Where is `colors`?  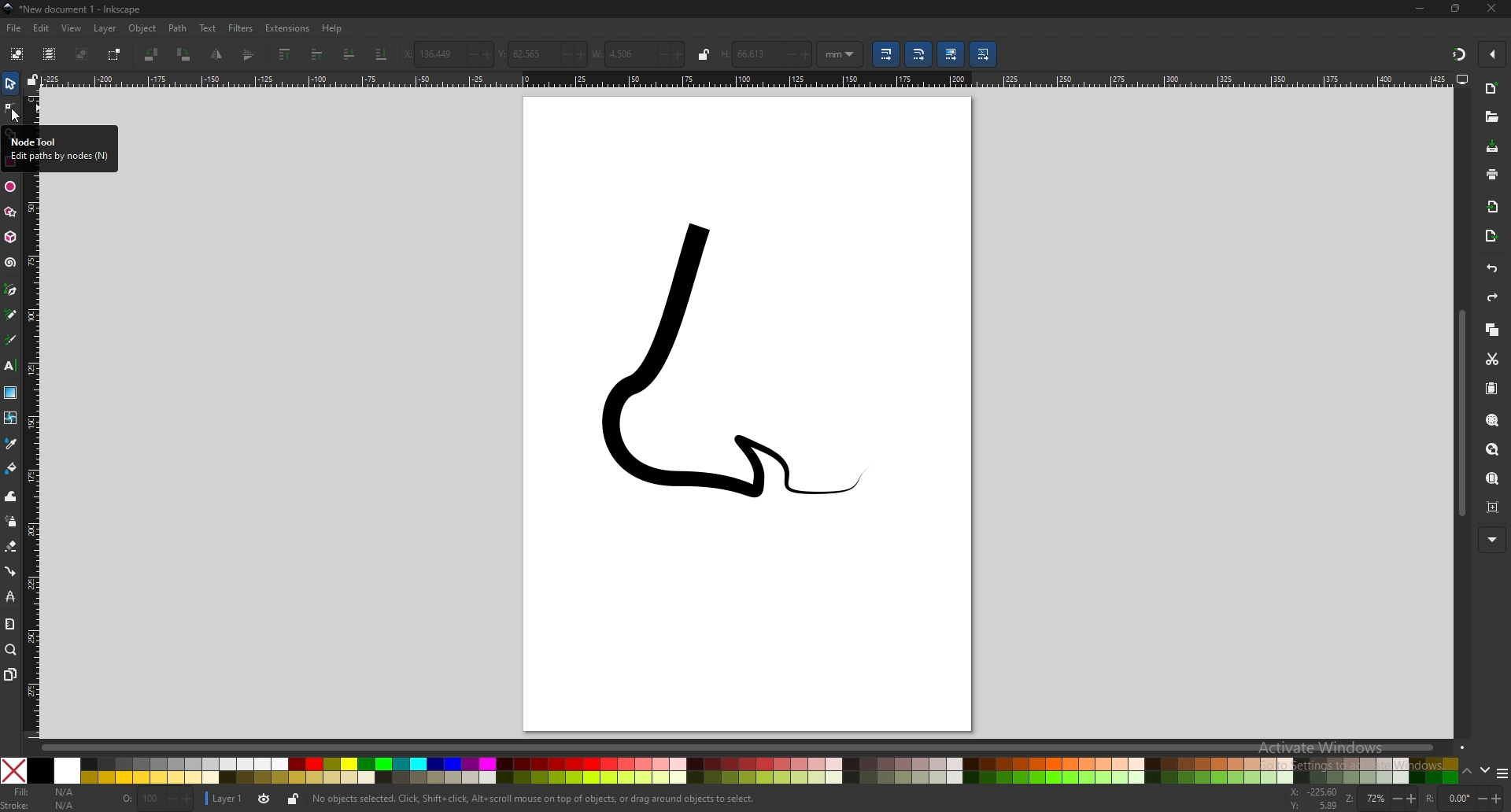 colors is located at coordinates (728, 771).